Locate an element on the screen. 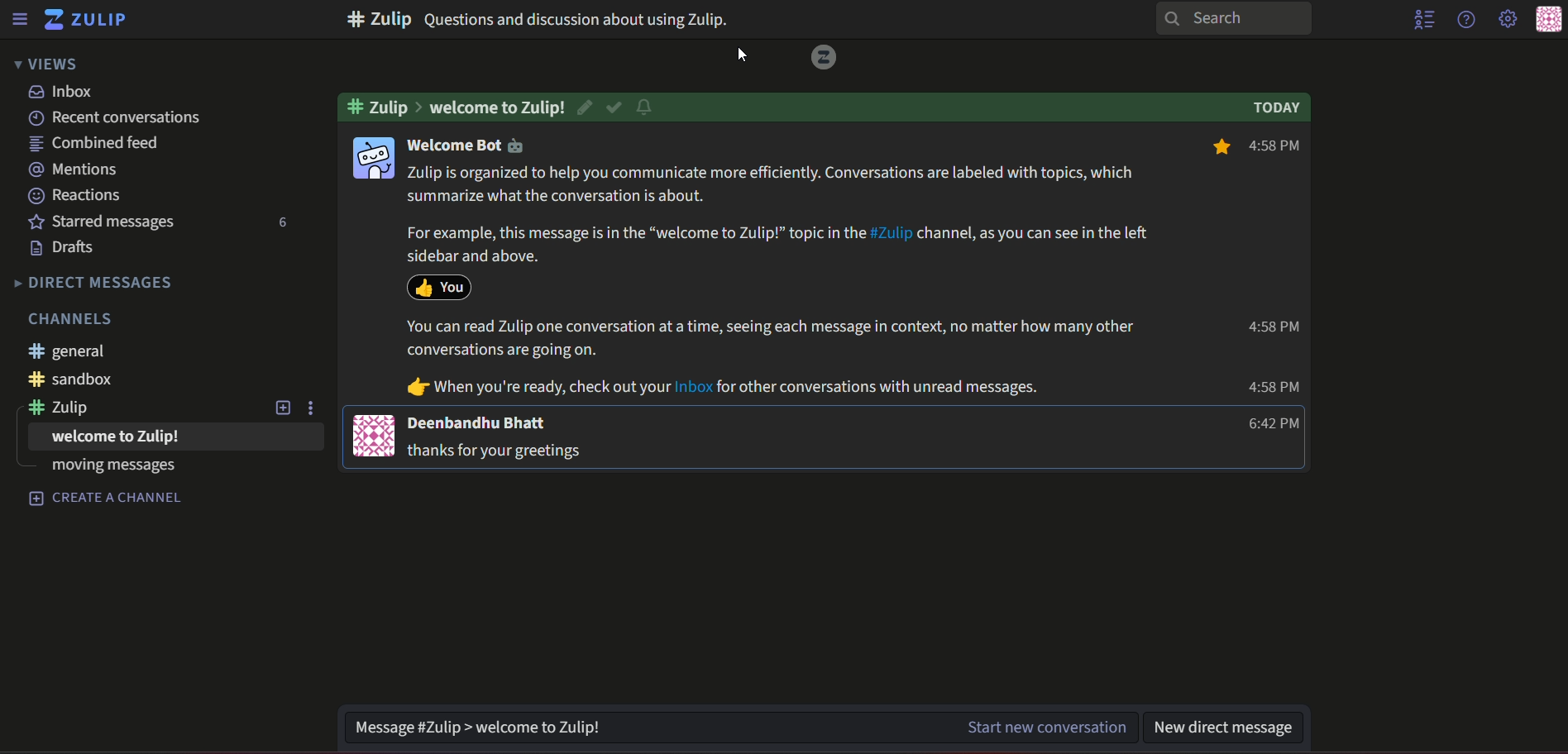 The height and width of the screenshot is (754, 1568). Mentions is located at coordinates (74, 167).